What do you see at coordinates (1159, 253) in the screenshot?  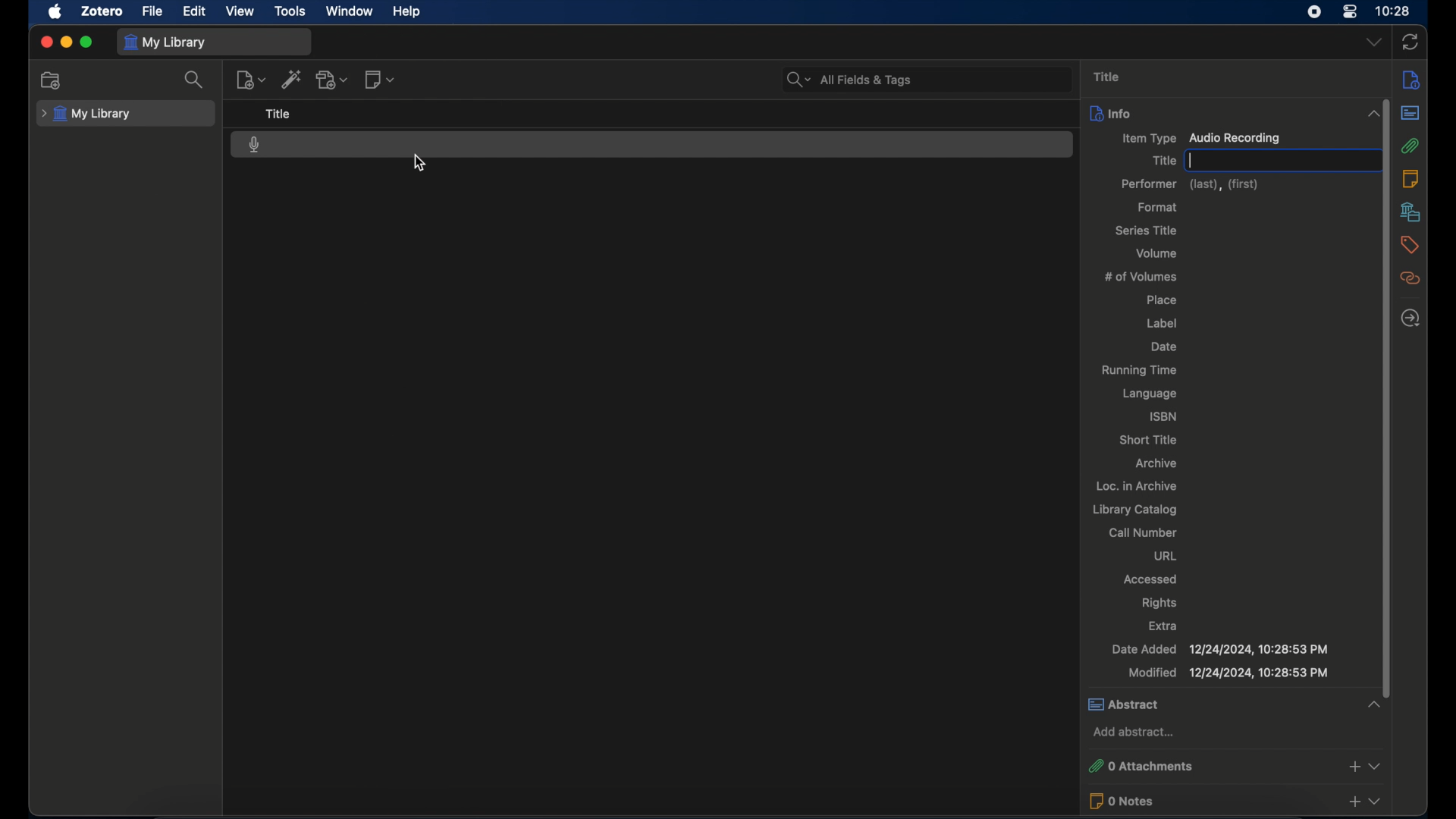 I see `volume` at bounding box center [1159, 253].